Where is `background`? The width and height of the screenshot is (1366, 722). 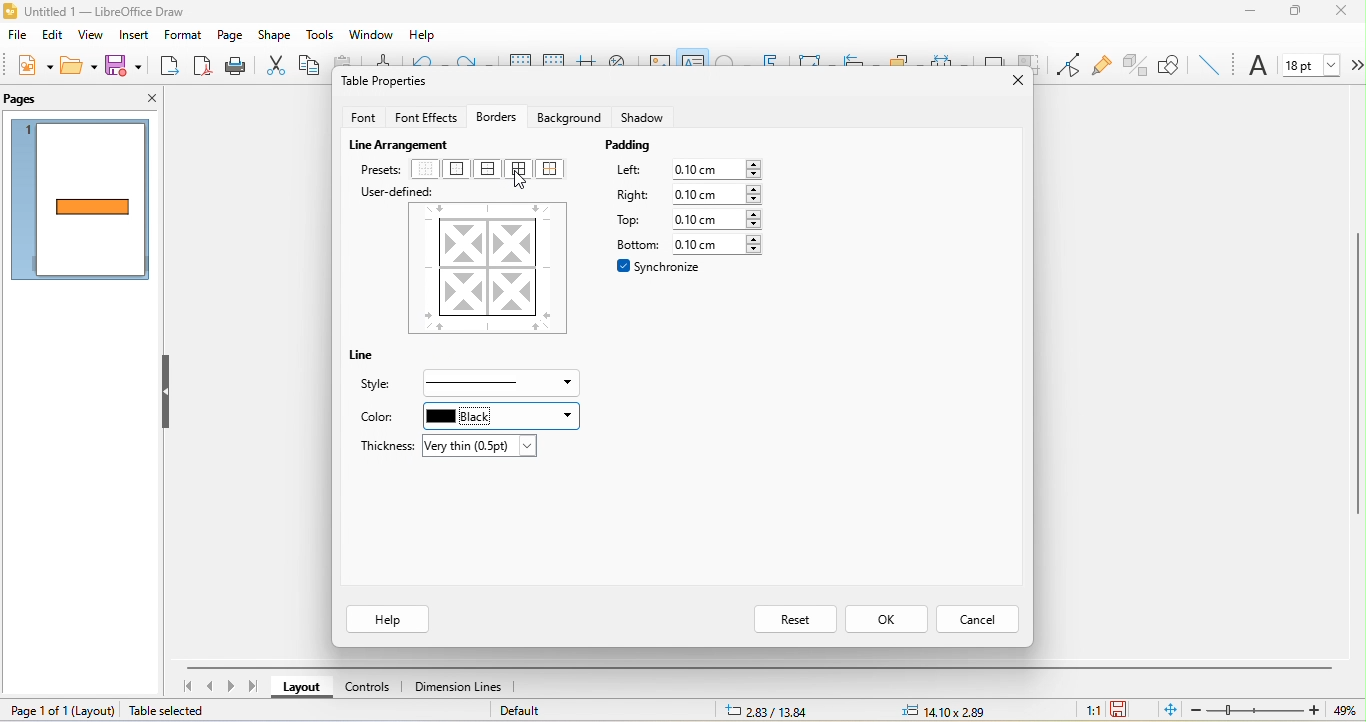
background is located at coordinates (568, 117).